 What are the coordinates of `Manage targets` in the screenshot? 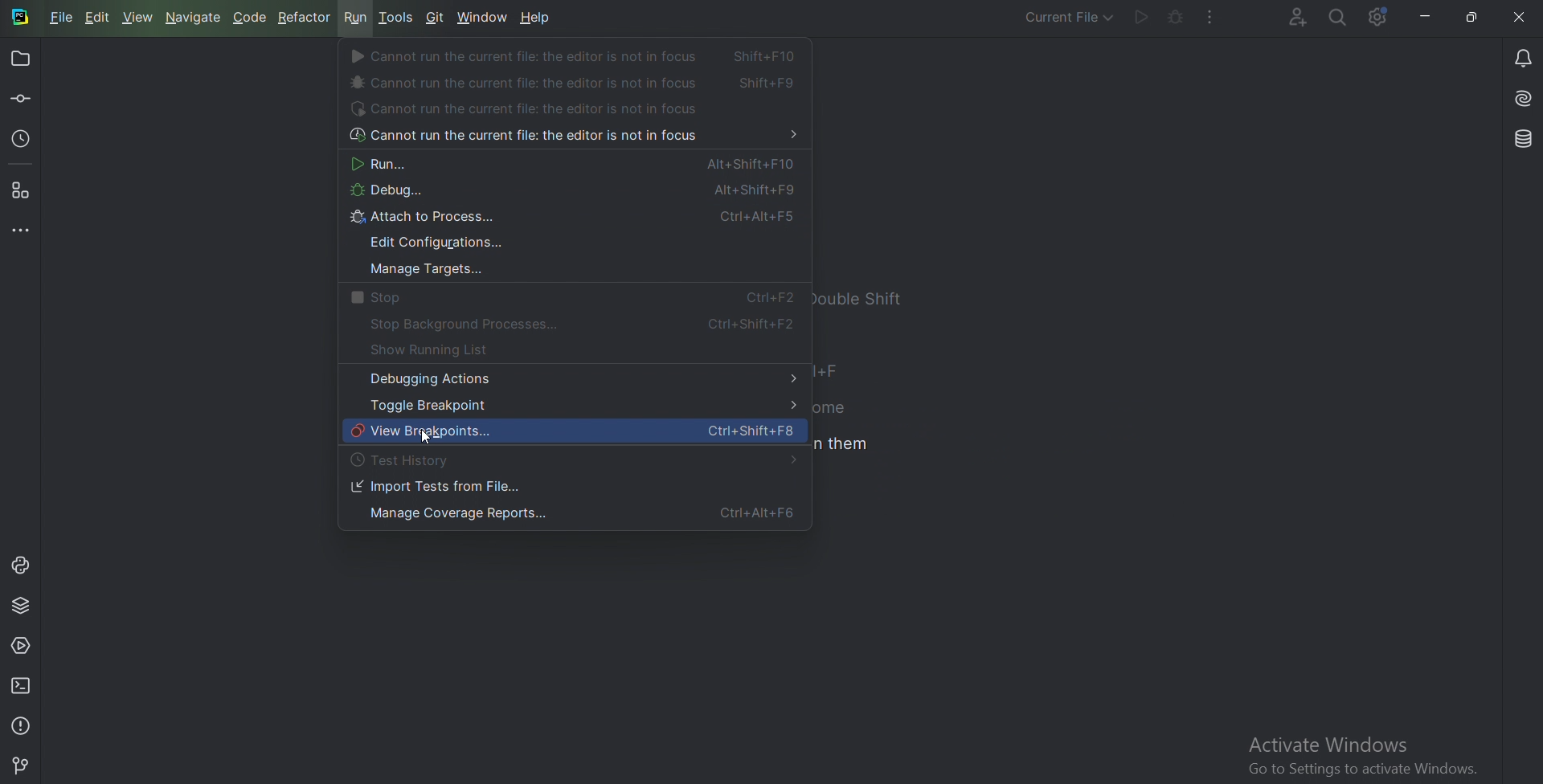 It's located at (422, 271).